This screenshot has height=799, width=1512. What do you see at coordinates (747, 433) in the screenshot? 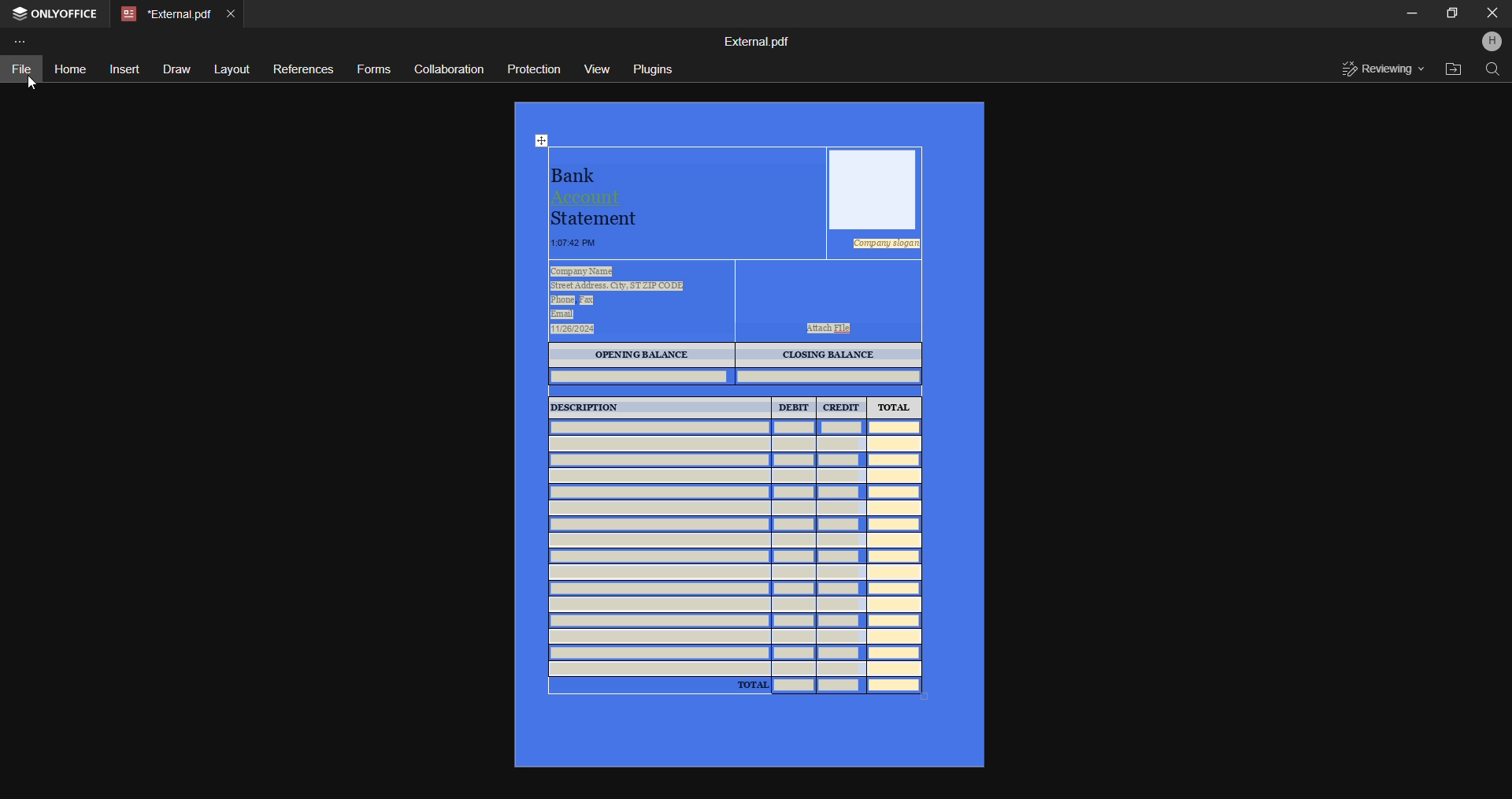
I see `This is a 30 day eviction notice informing tenants that they must either pay overdue rent, correct a lease violation, or vacate the premises due to illegal activity. Failure to comply will result in legal actions.` at bounding box center [747, 433].